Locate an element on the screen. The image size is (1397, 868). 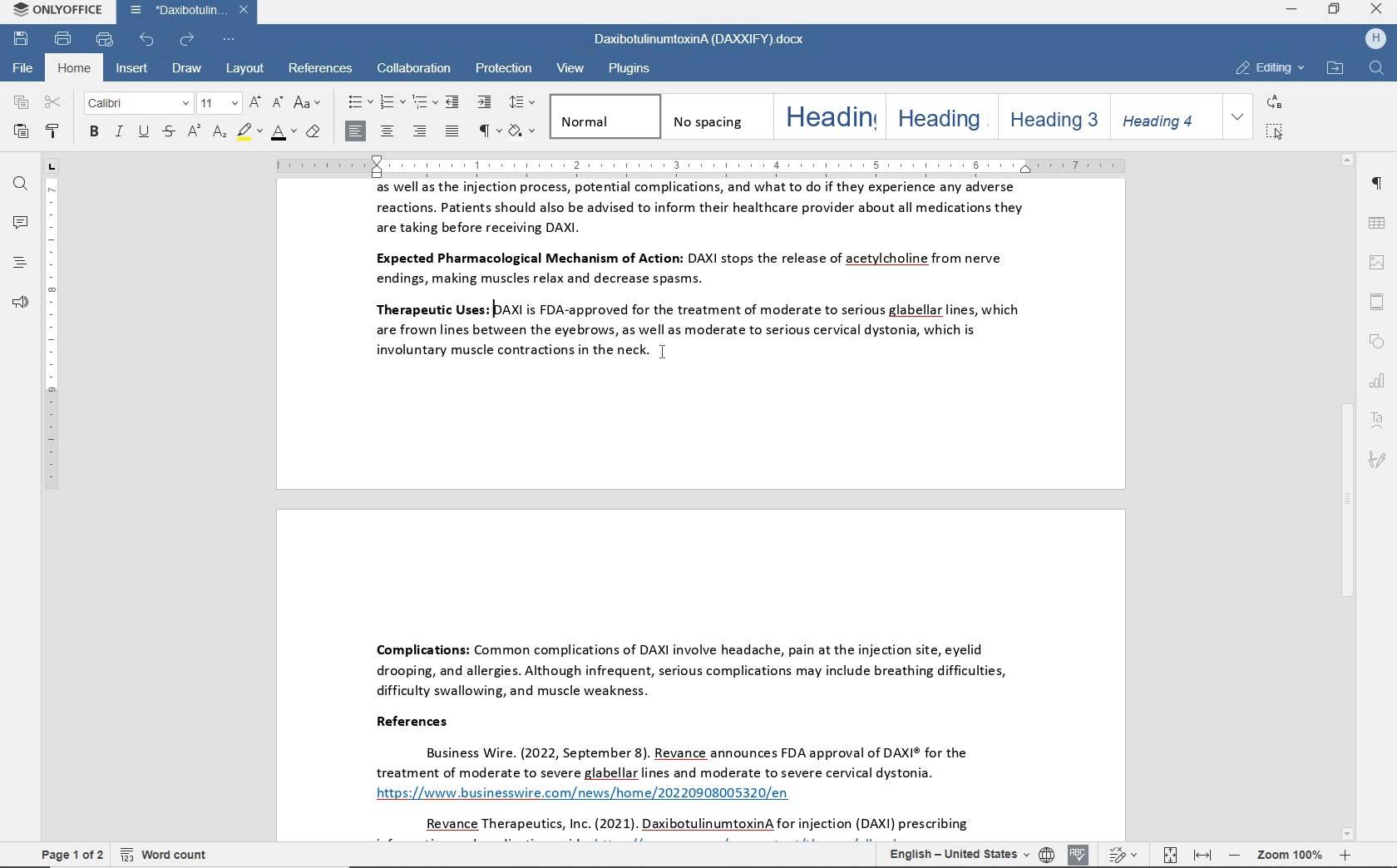
numbering is located at coordinates (390, 103).